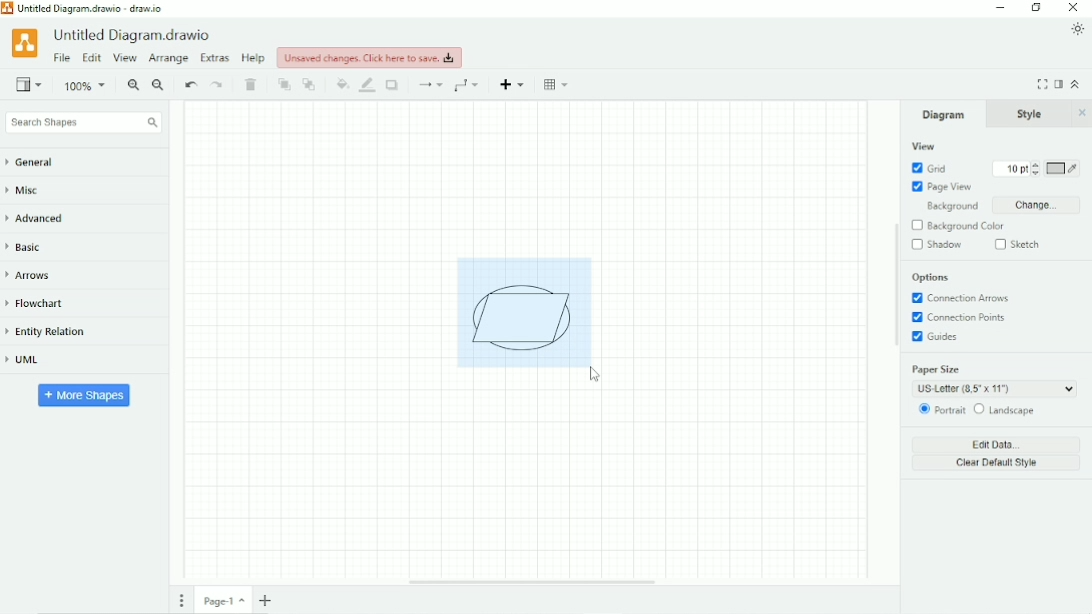 The image size is (1092, 614). I want to click on Entity relation, so click(55, 332).